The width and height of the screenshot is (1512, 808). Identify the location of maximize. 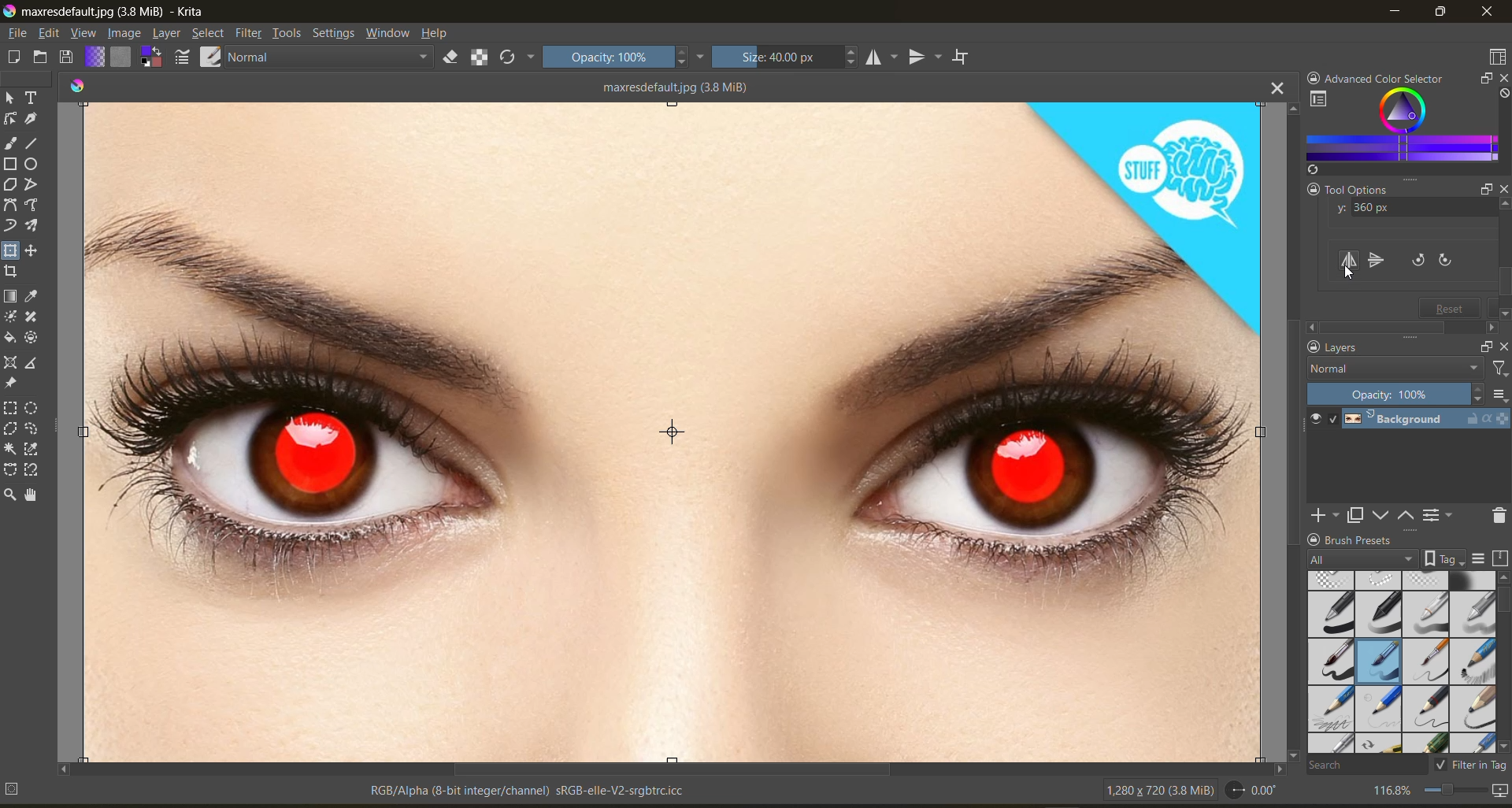
(1443, 13).